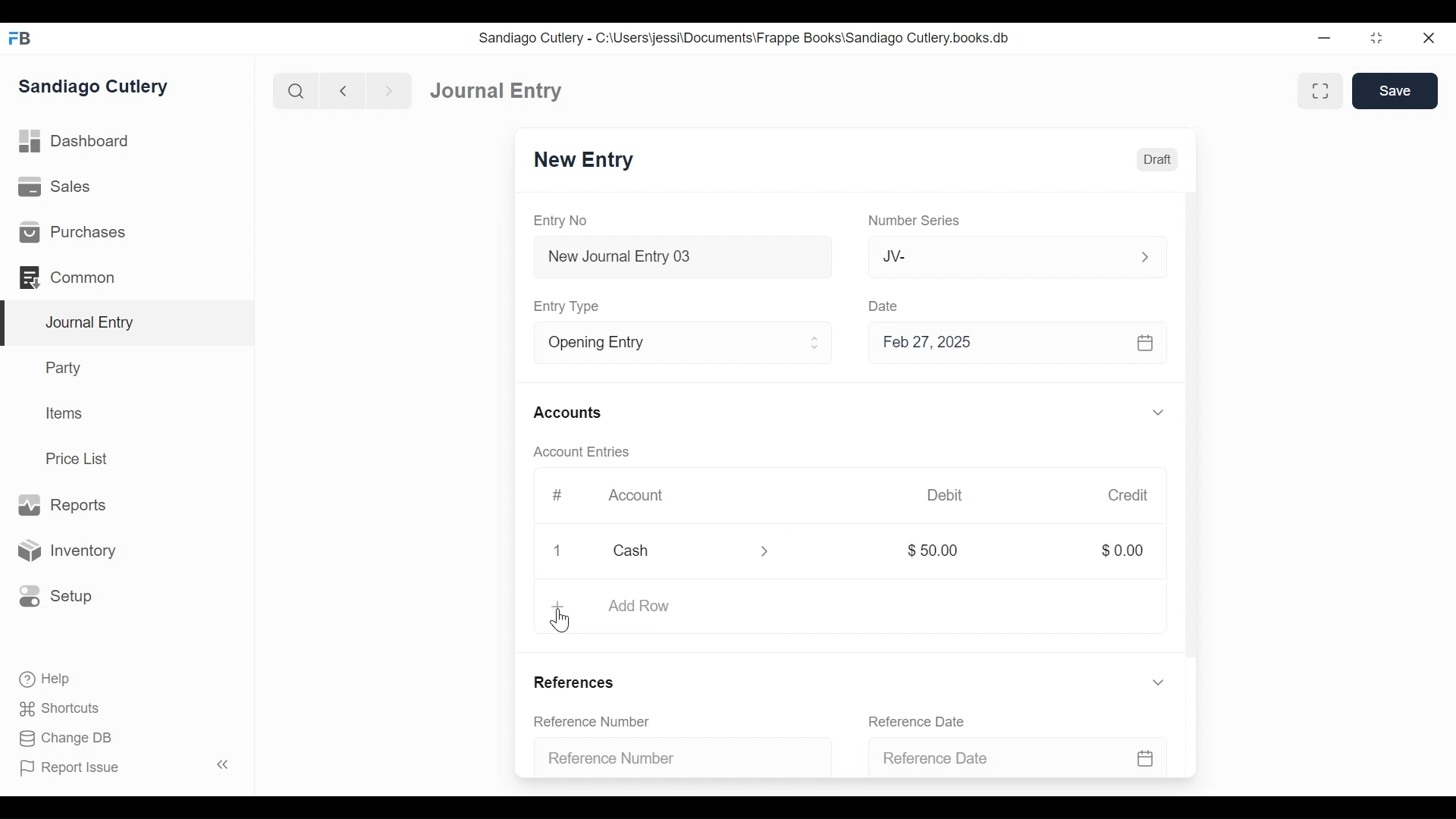 The width and height of the screenshot is (1456, 819). I want to click on Help, so click(46, 679).